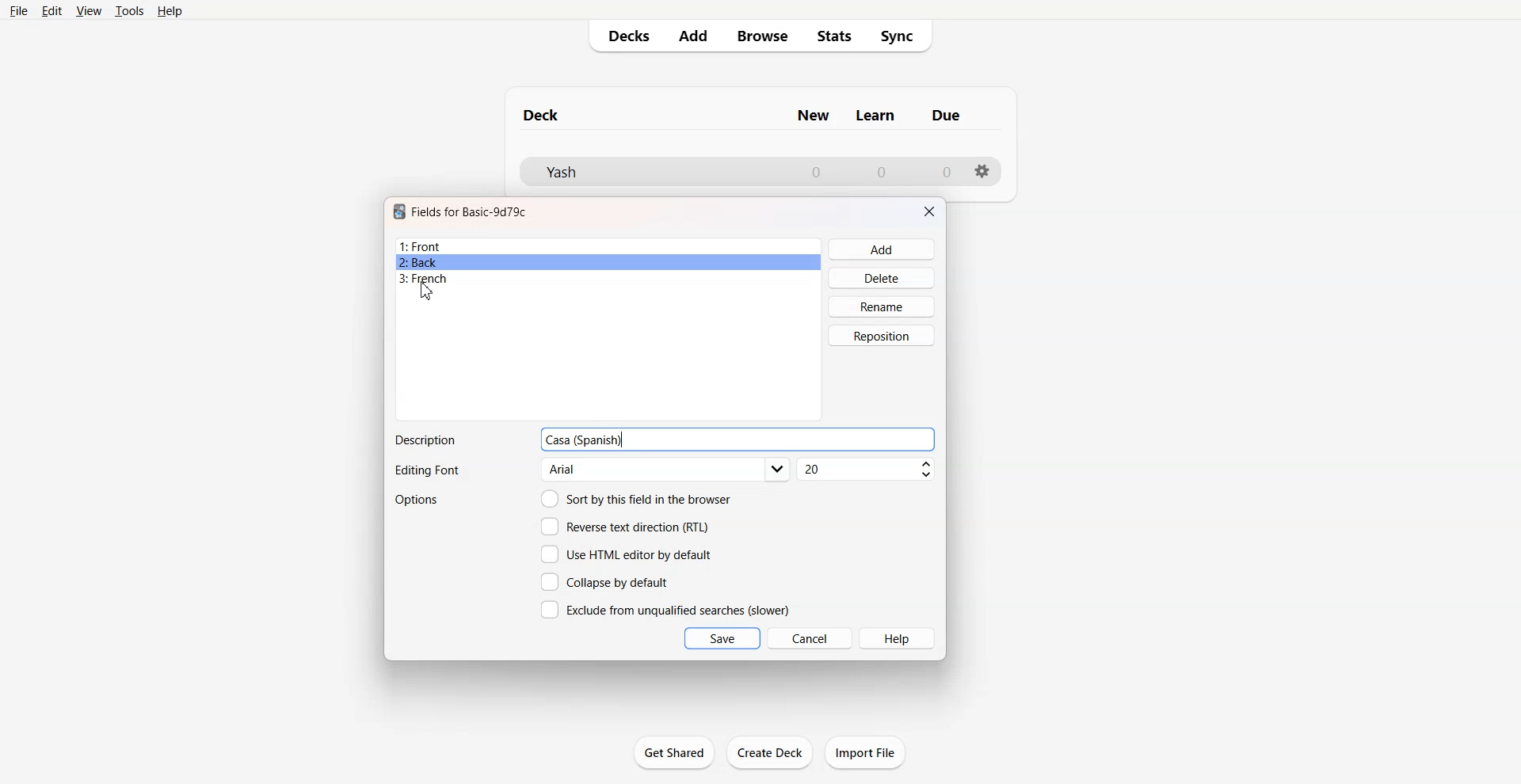 The width and height of the screenshot is (1521, 784). What do you see at coordinates (882, 249) in the screenshot?
I see `Add` at bounding box center [882, 249].